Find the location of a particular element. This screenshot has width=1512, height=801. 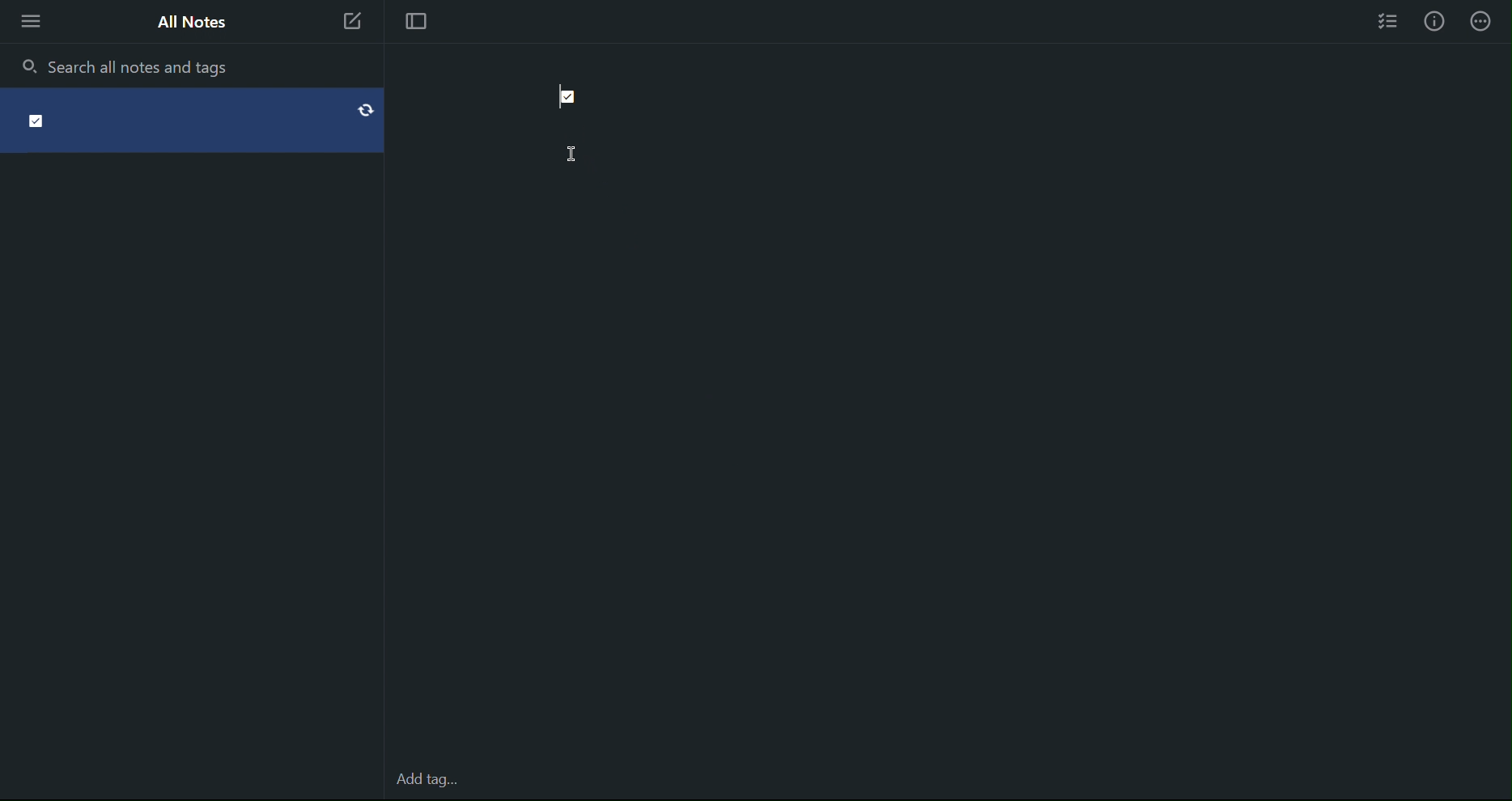

Focus Mode is located at coordinates (419, 19).